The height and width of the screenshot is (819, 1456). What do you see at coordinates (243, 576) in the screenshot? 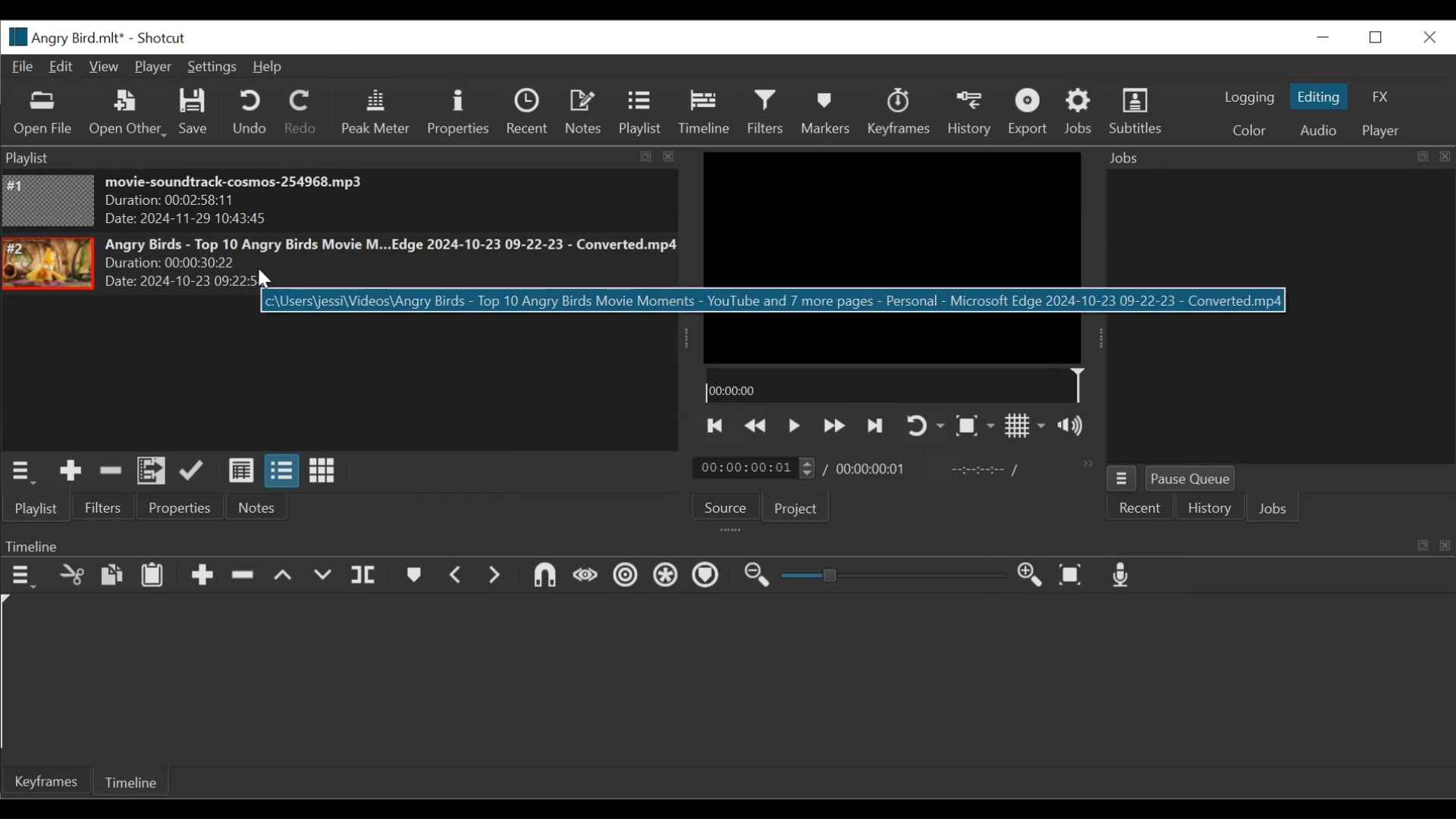
I see `Ripple Delete` at bounding box center [243, 576].